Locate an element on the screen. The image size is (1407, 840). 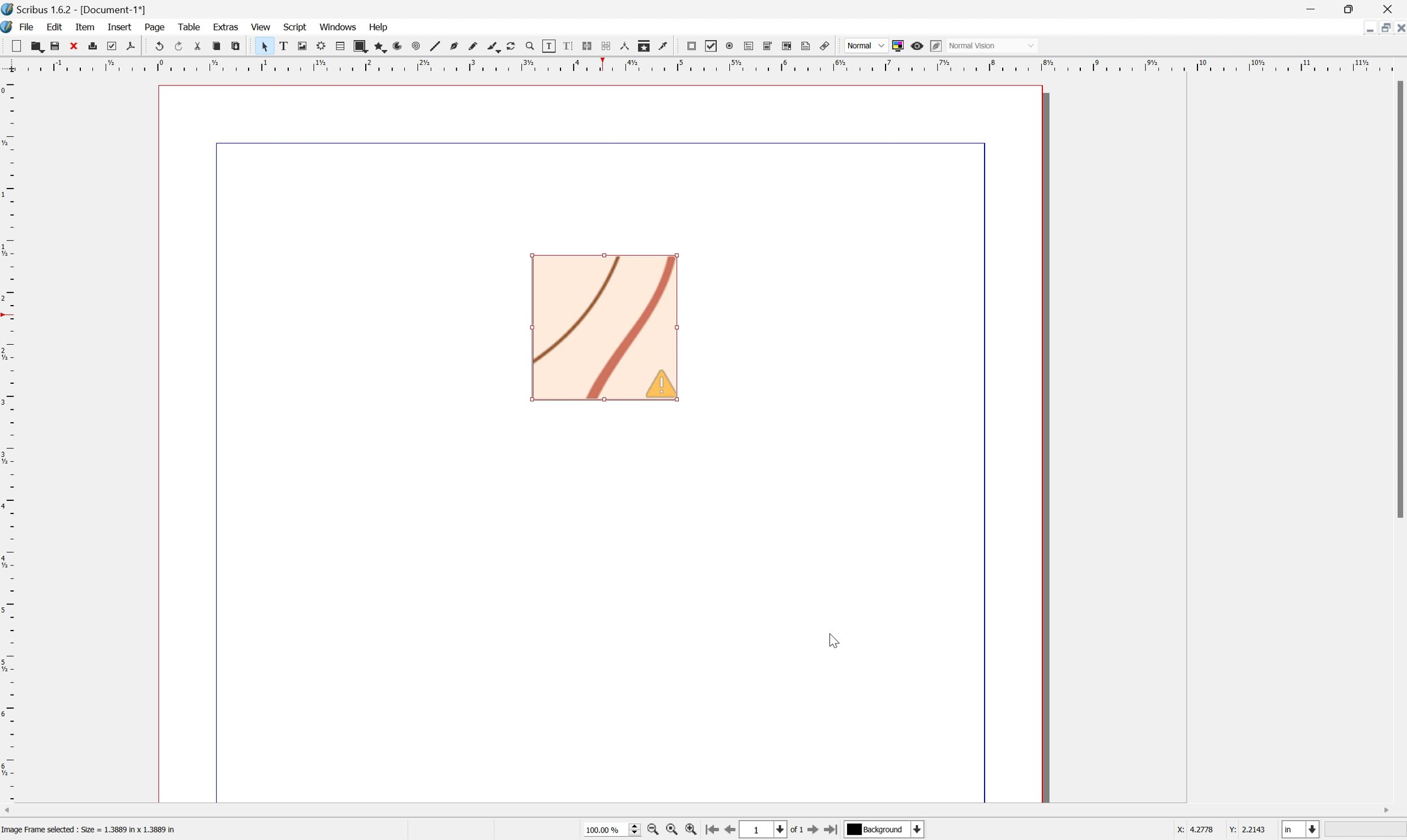
Item is located at coordinates (85, 26).